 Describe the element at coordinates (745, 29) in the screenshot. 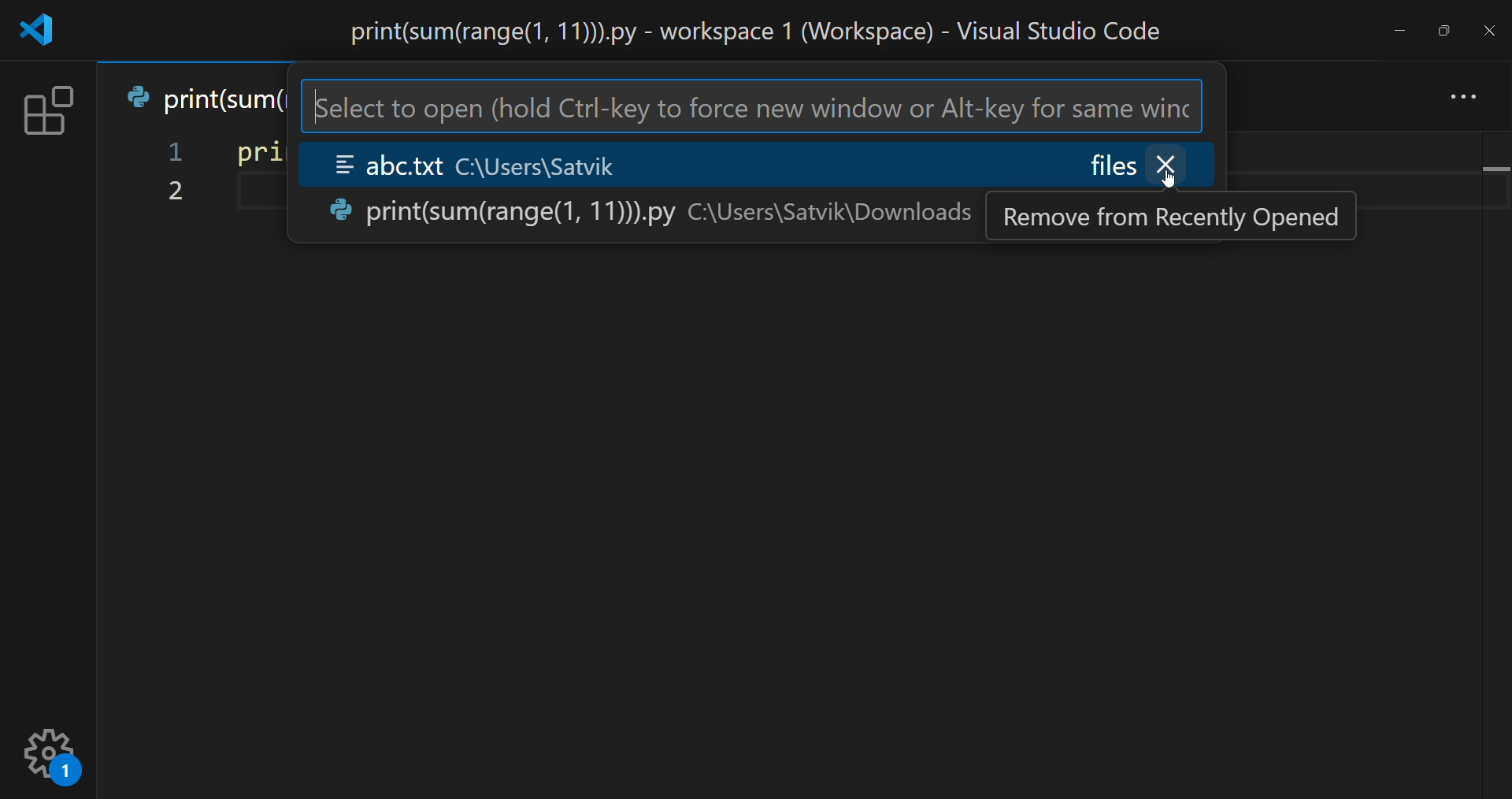

I see `print(sum(range(1, 11))).py - workspace 1 (Workspace) - Visual Studio Code` at that location.